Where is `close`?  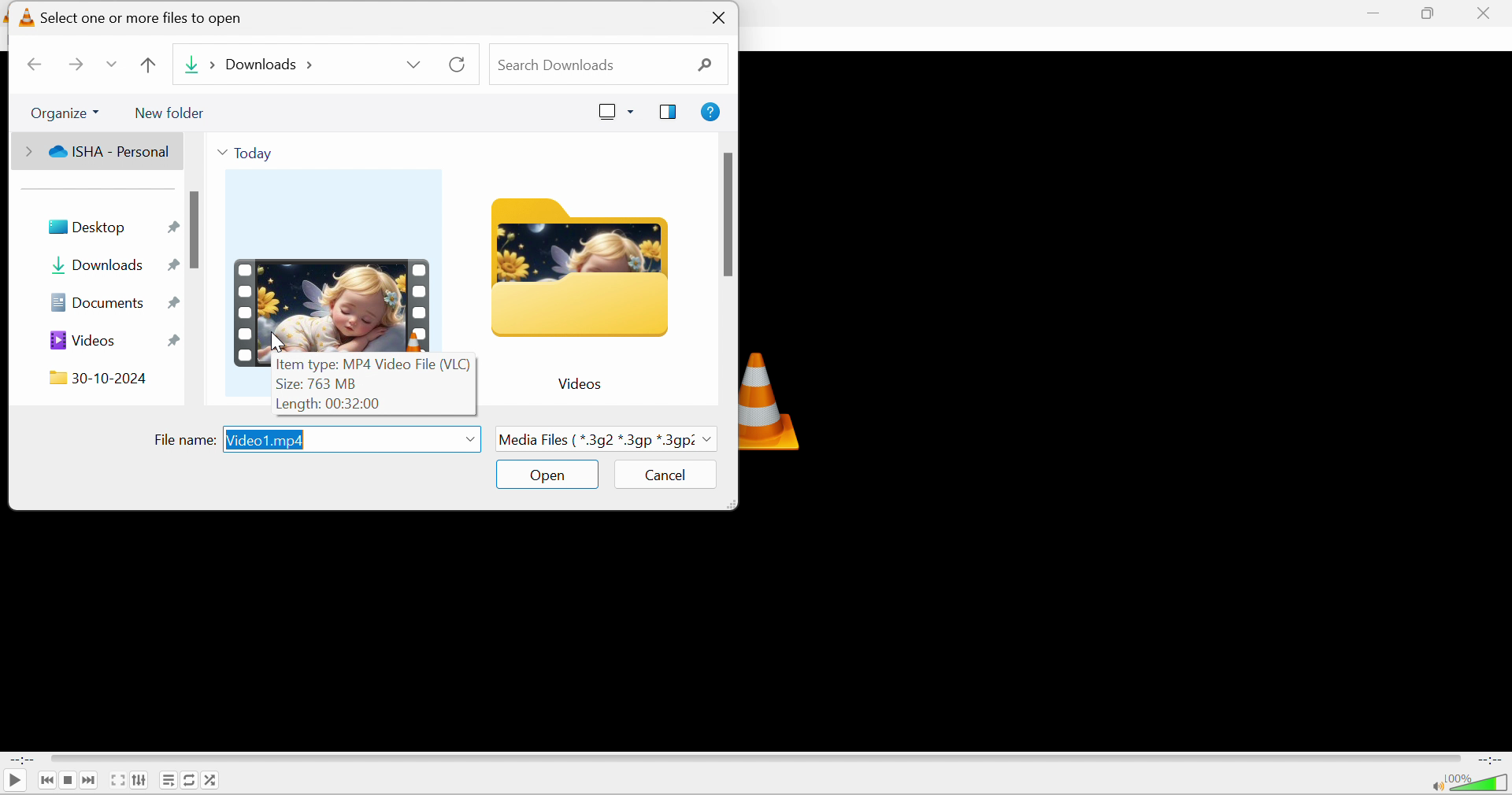 close is located at coordinates (1486, 11).